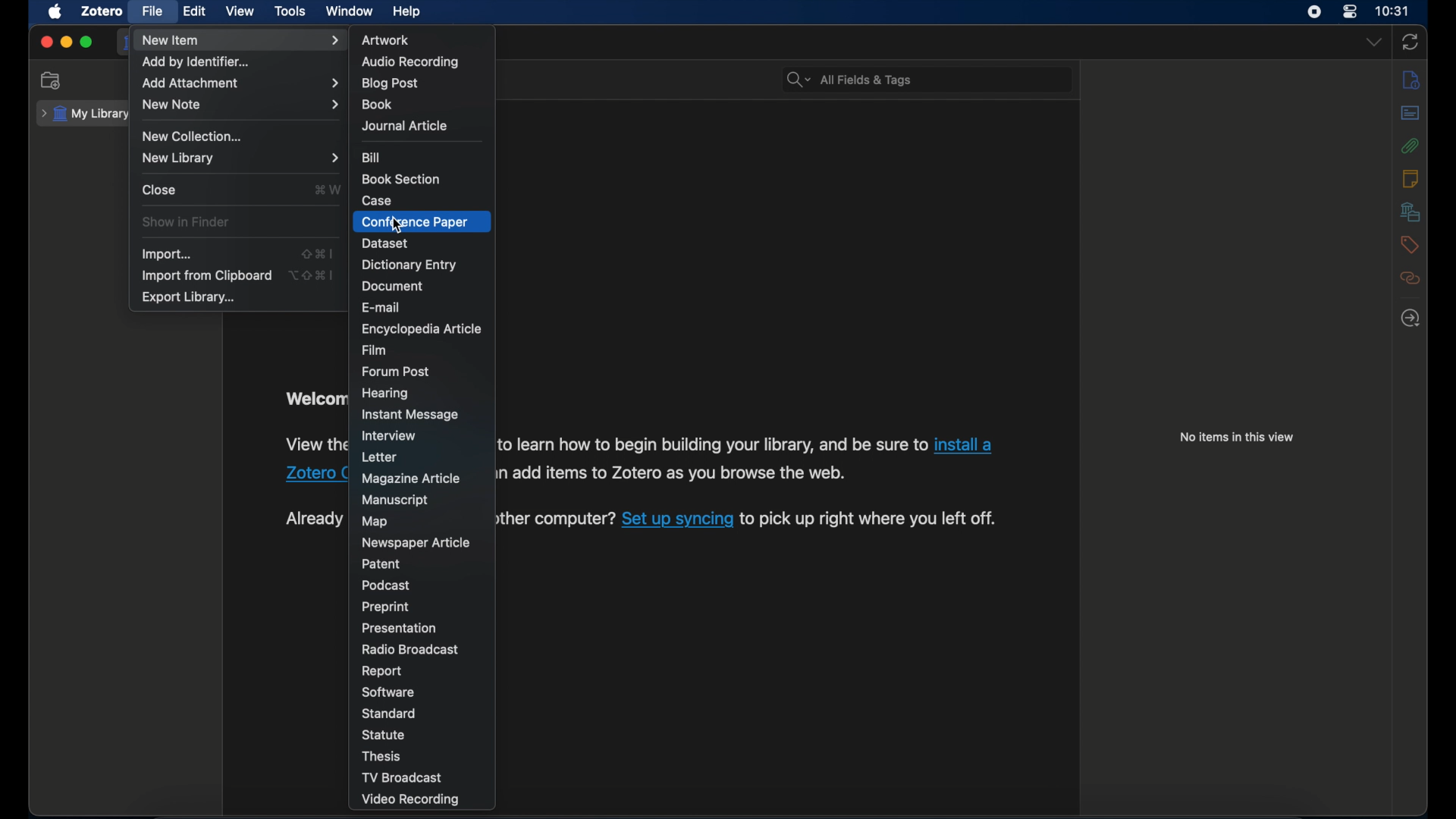  Describe the element at coordinates (410, 63) in the screenshot. I see `audio recording` at that location.